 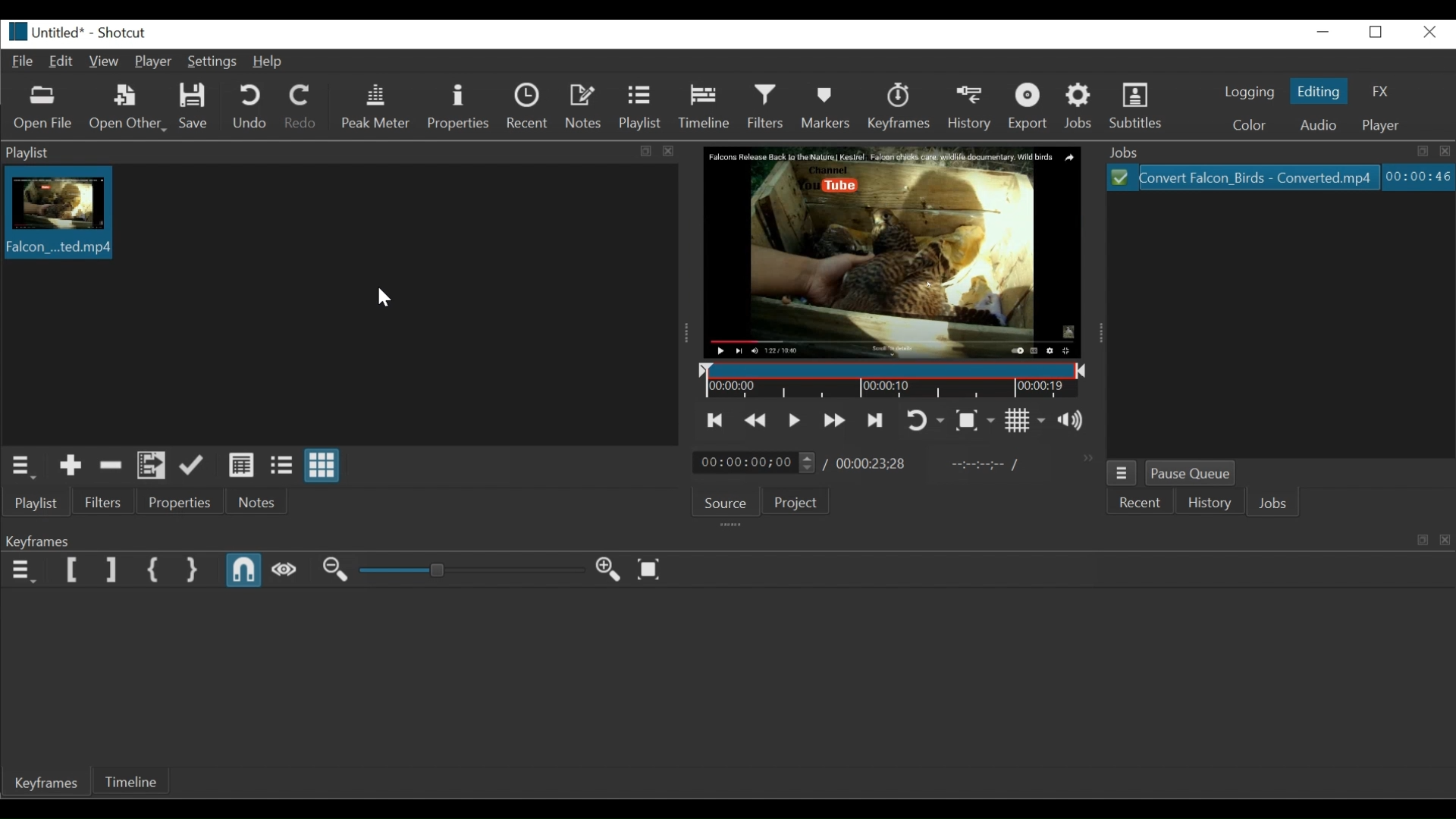 I want to click on Open File, so click(x=44, y=108).